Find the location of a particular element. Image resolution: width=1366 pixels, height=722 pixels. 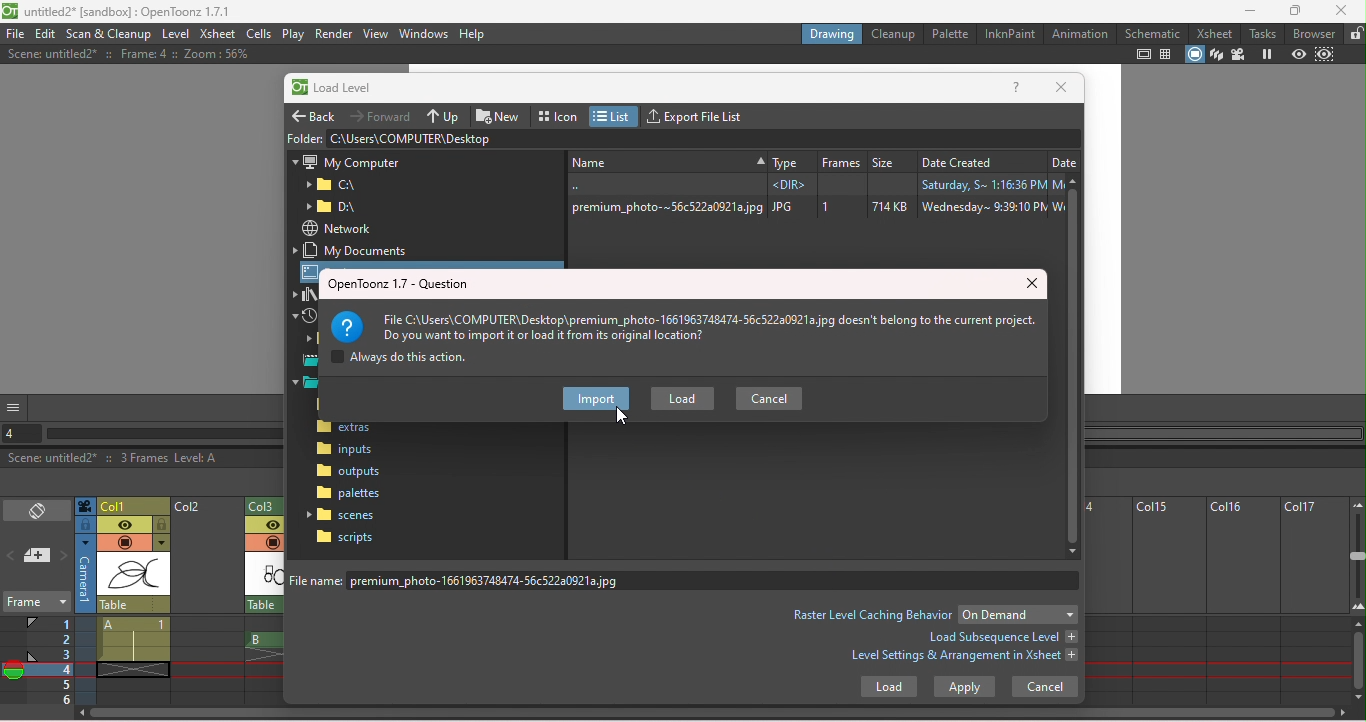

Level is located at coordinates (175, 35).